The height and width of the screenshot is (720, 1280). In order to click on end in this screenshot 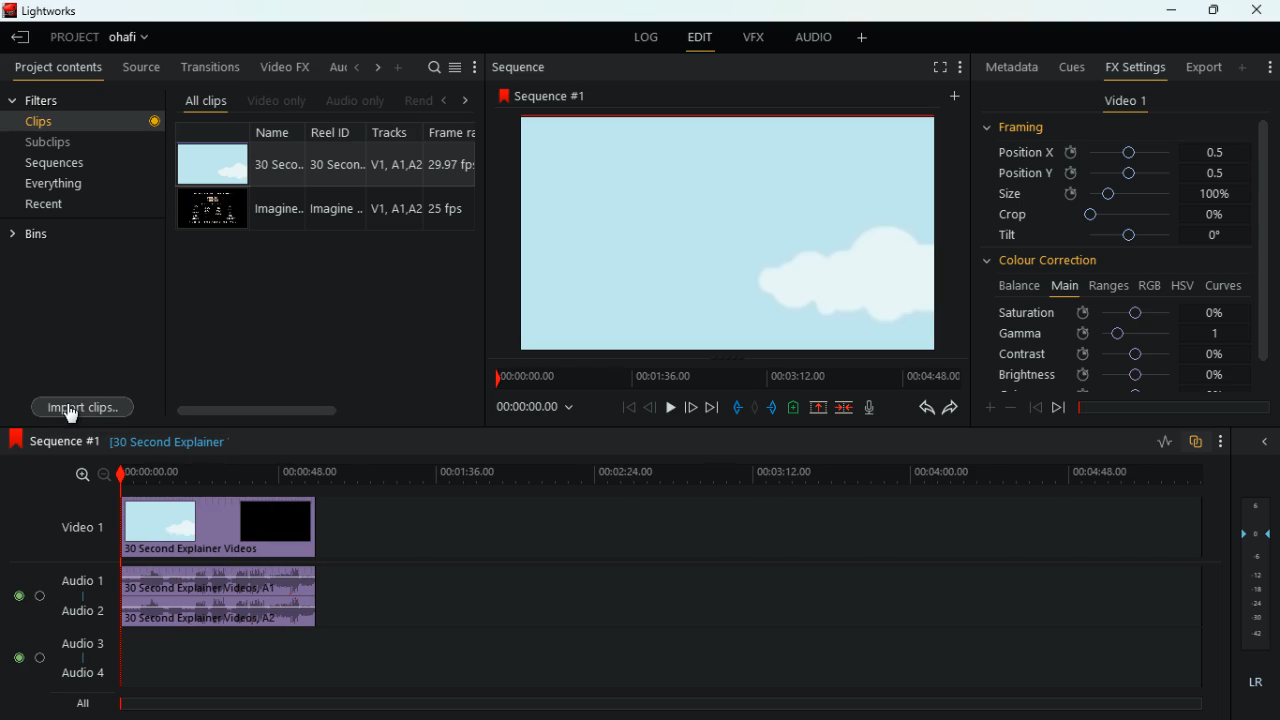, I will do `click(1058, 407)`.